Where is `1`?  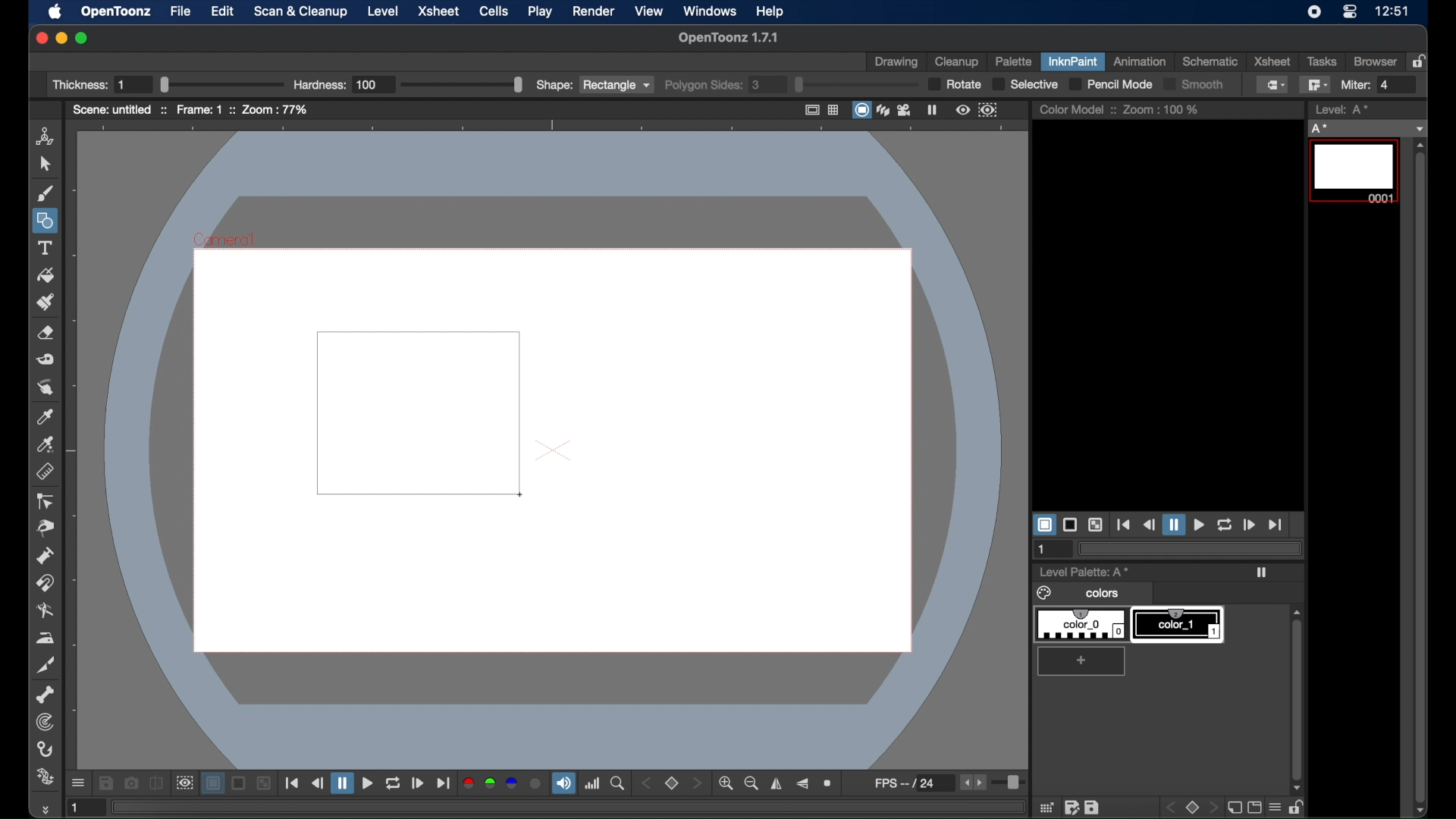
1 is located at coordinates (83, 807).